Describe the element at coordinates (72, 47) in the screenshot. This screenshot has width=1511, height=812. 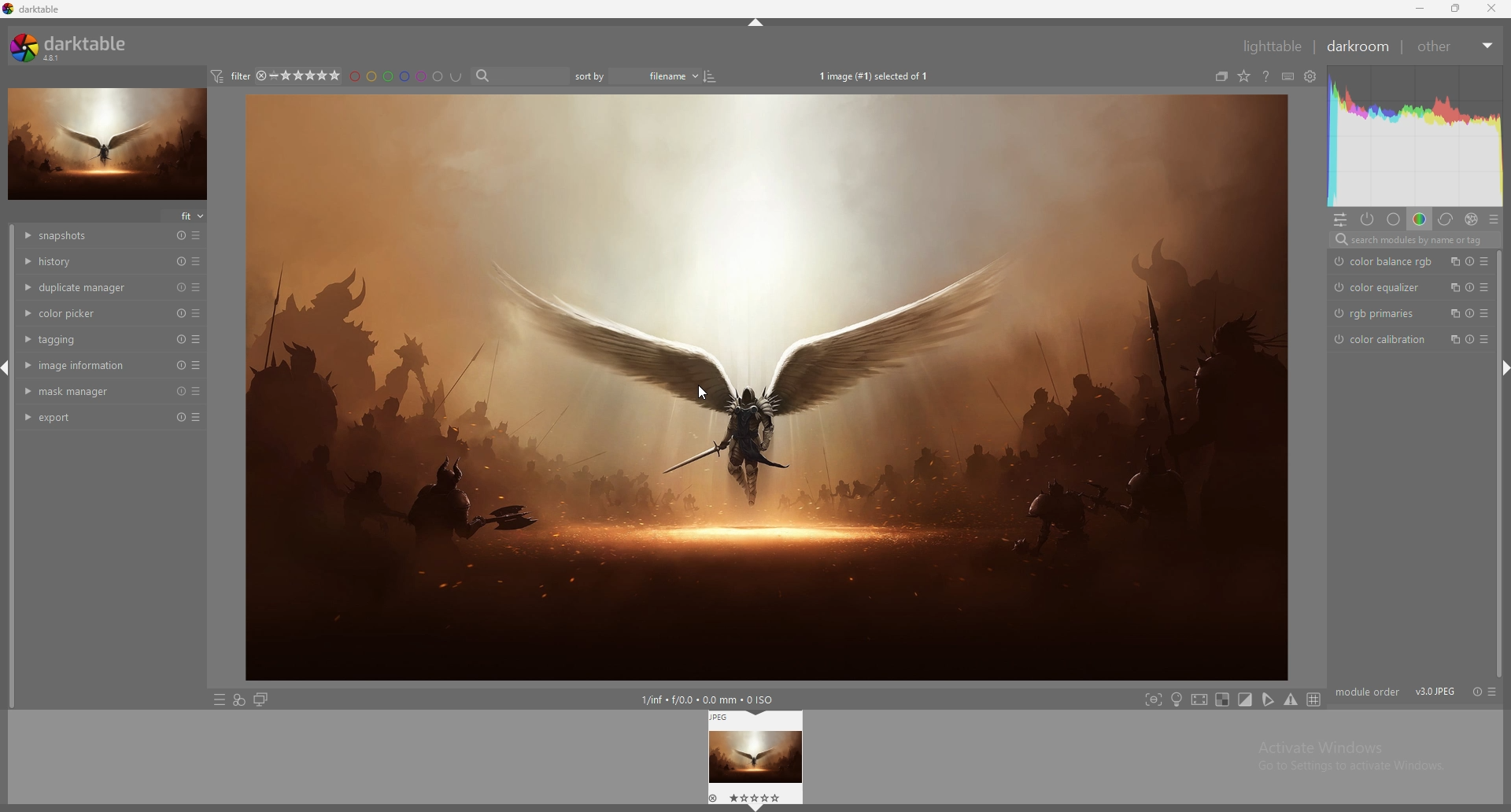
I see `darktable` at that location.